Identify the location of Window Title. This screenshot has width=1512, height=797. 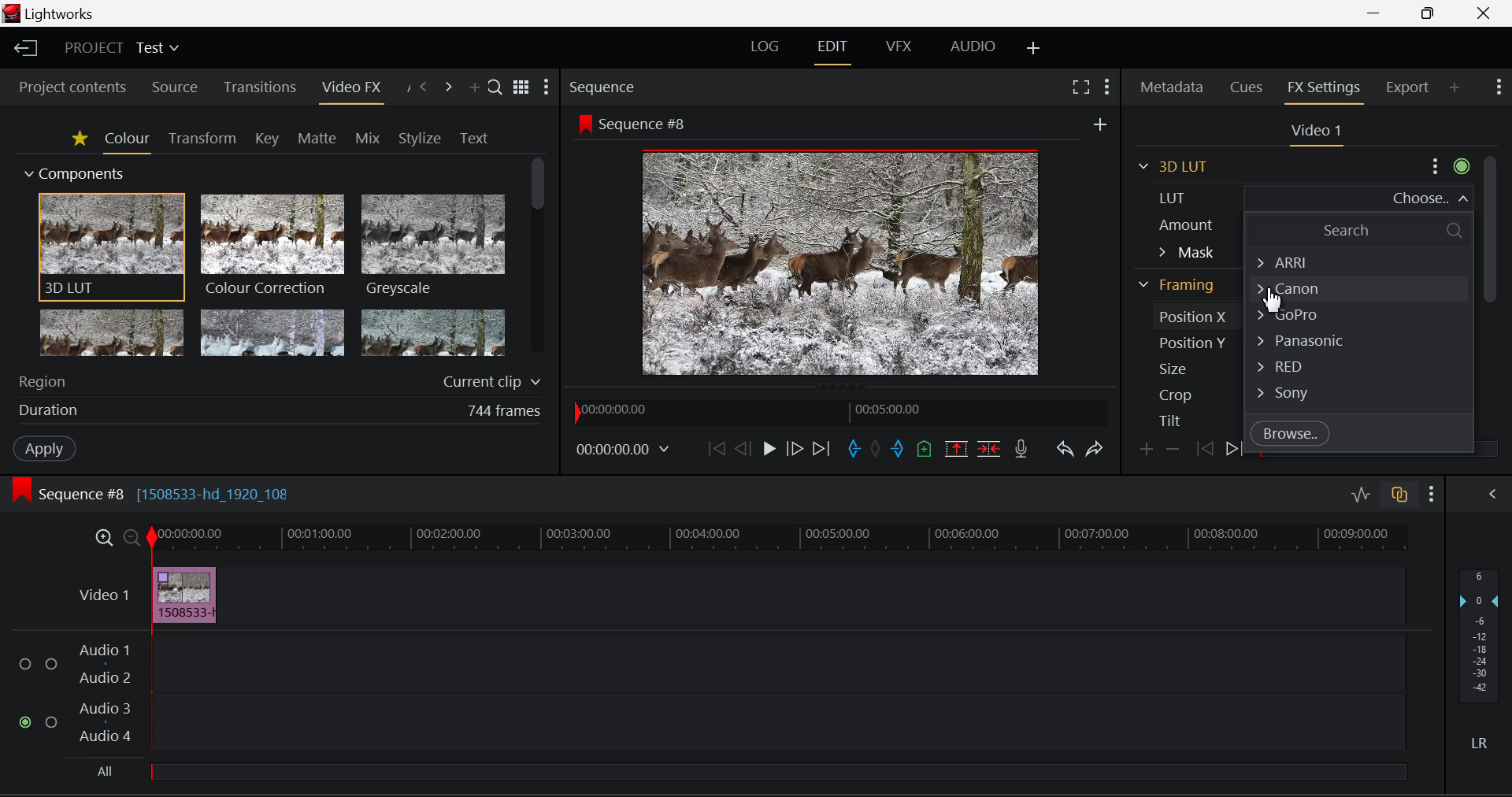
(52, 13).